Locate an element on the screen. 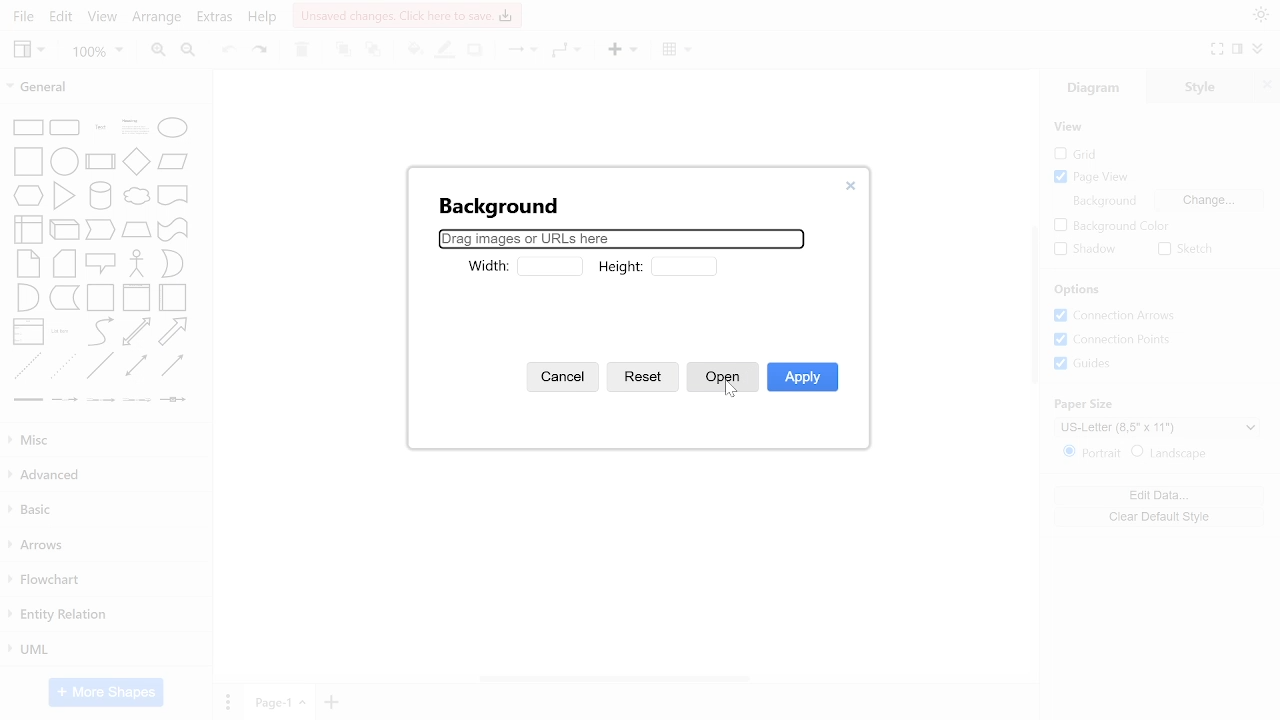 The image size is (1280, 720). zoom in is located at coordinates (157, 51).